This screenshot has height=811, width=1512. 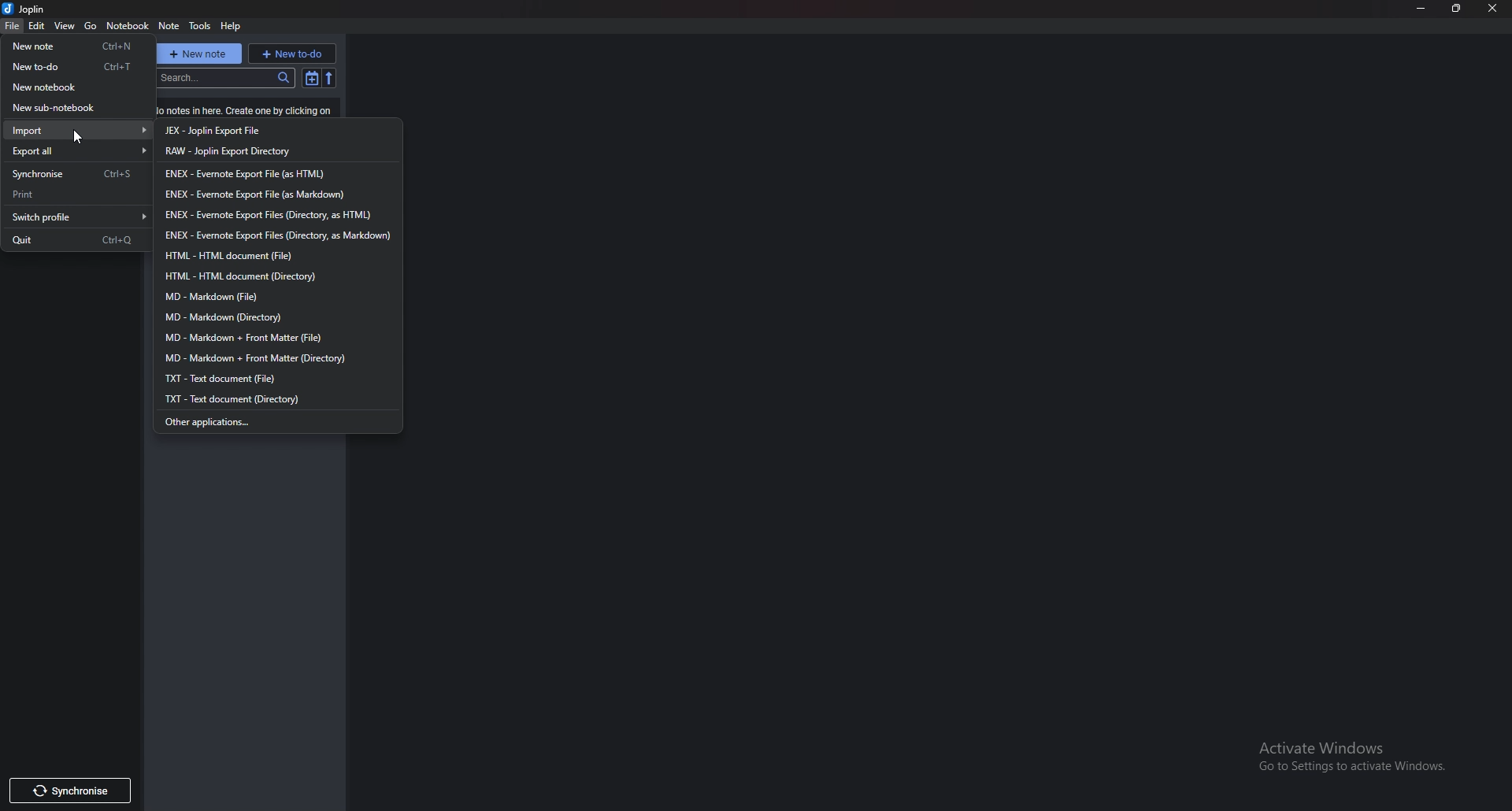 I want to click on Other applications, so click(x=228, y=420).